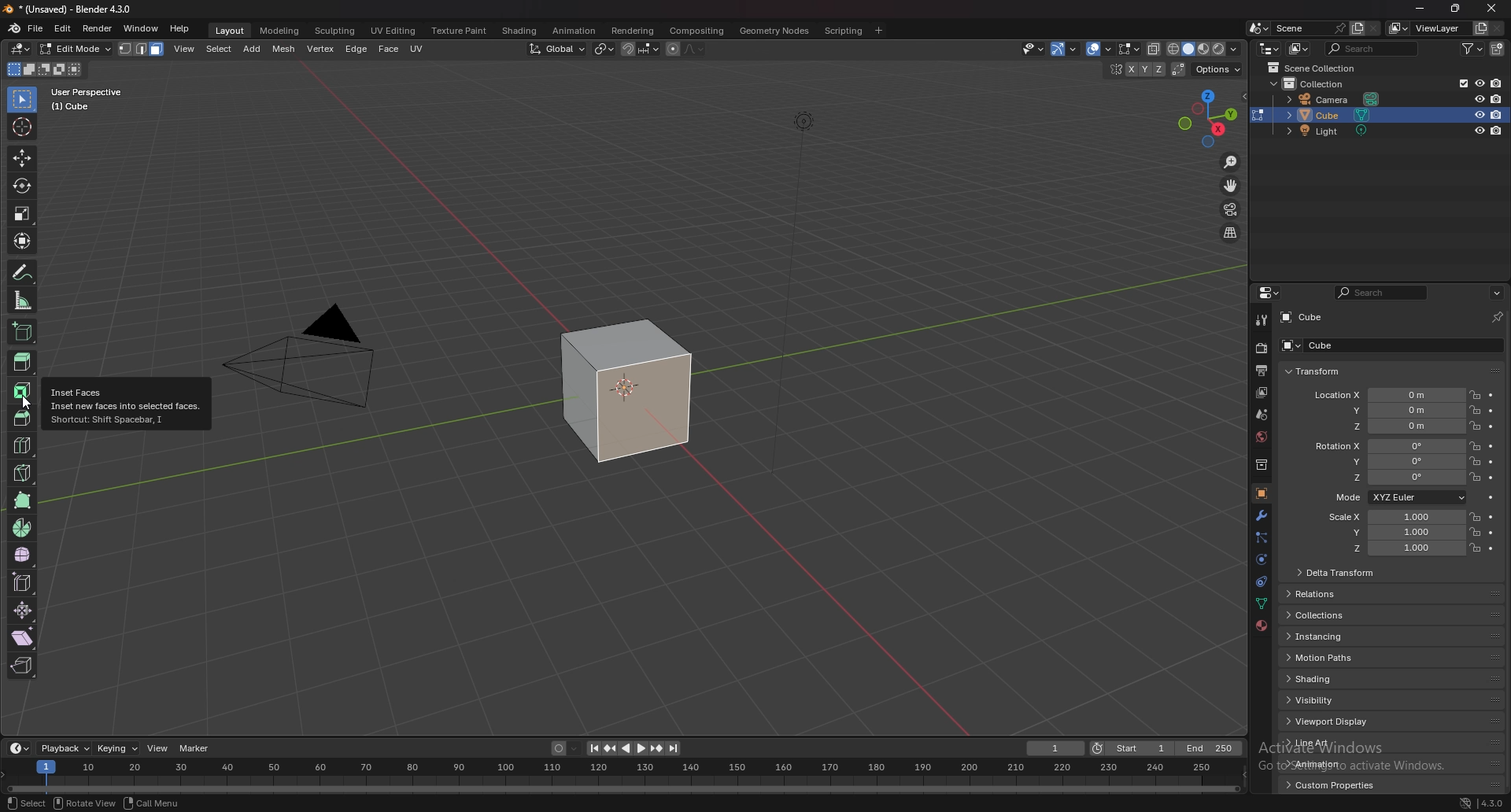  What do you see at coordinates (1491, 396) in the screenshot?
I see `animate property` at bounding box center [1491, 396].